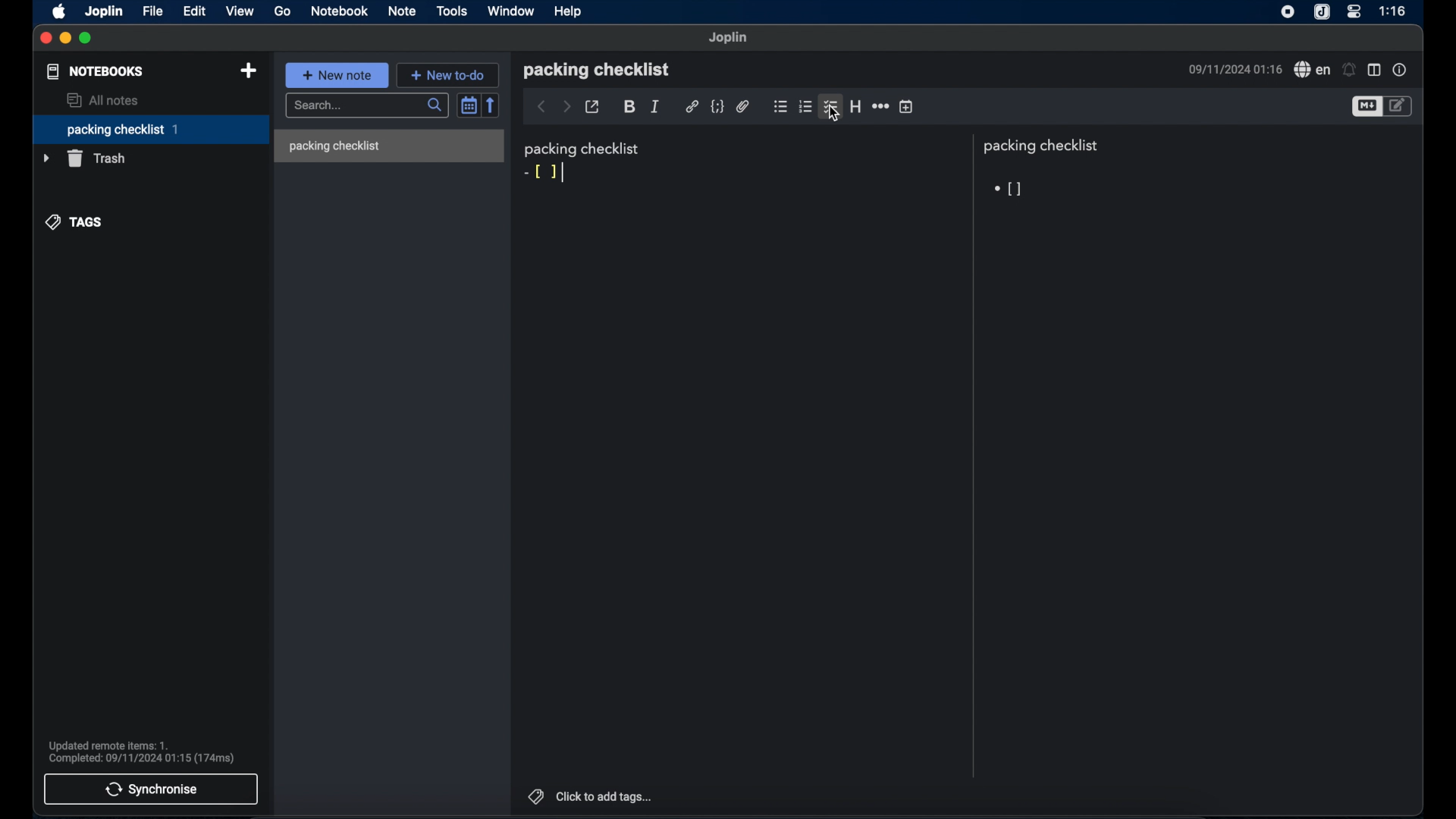  What do you see at coordinates (593, 107) in the screenshot?
I see `toggle external editing` at bounding box center [593, 107].